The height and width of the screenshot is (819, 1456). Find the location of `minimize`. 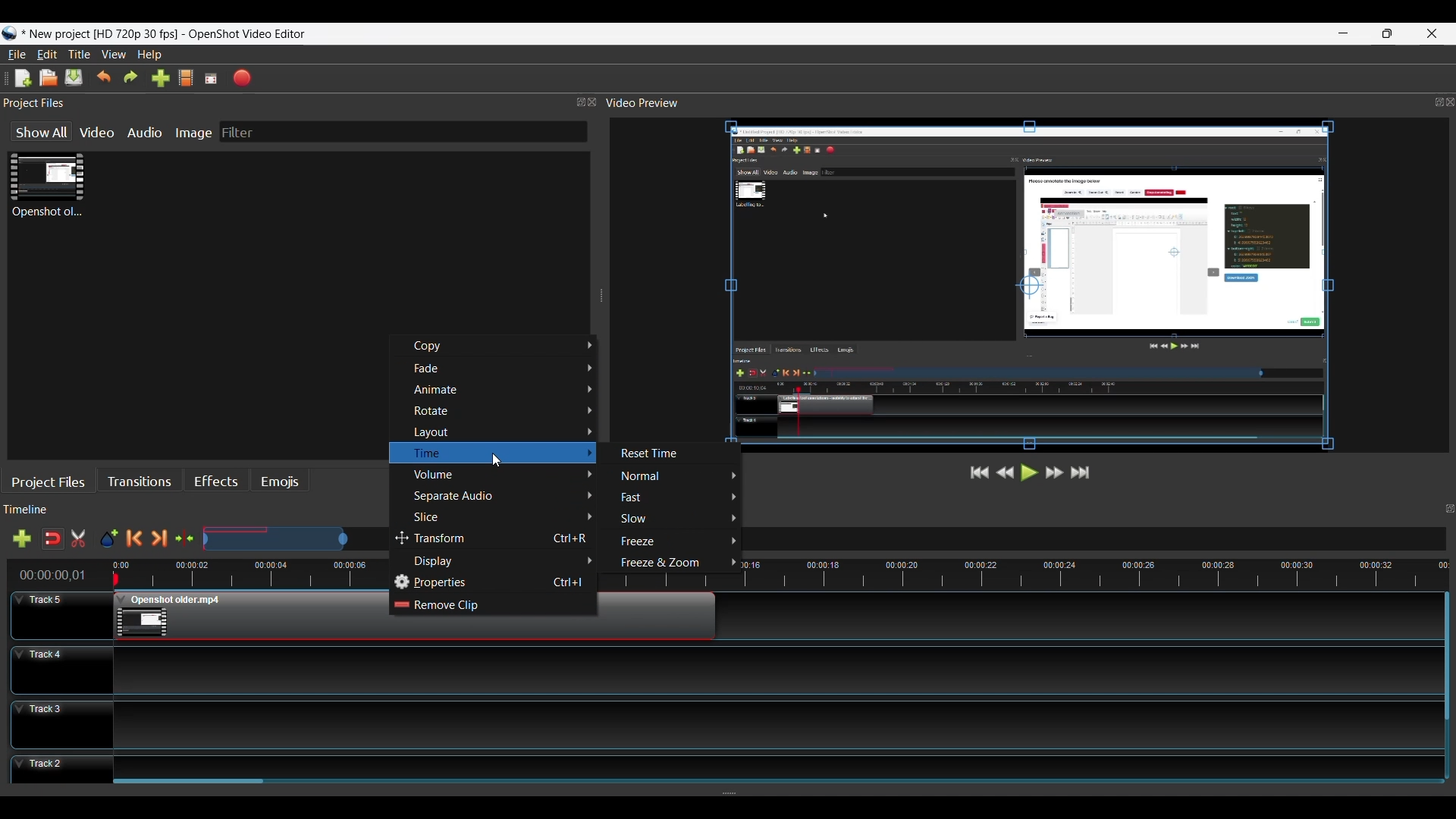

minimize is located at coordinates (1345, 33).